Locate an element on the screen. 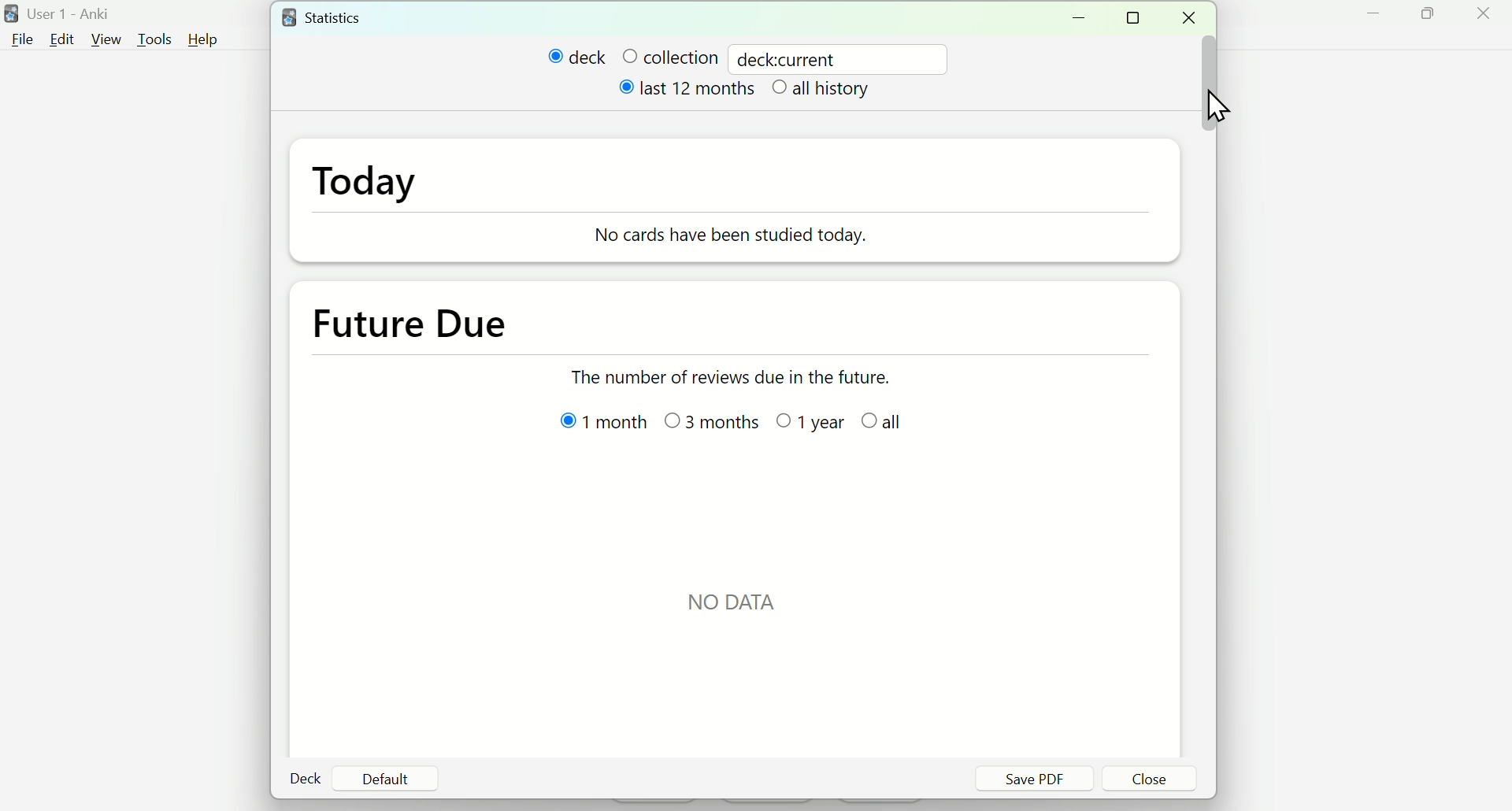 The image size is (1512, 811). Today is located at coordinates (387, 193).